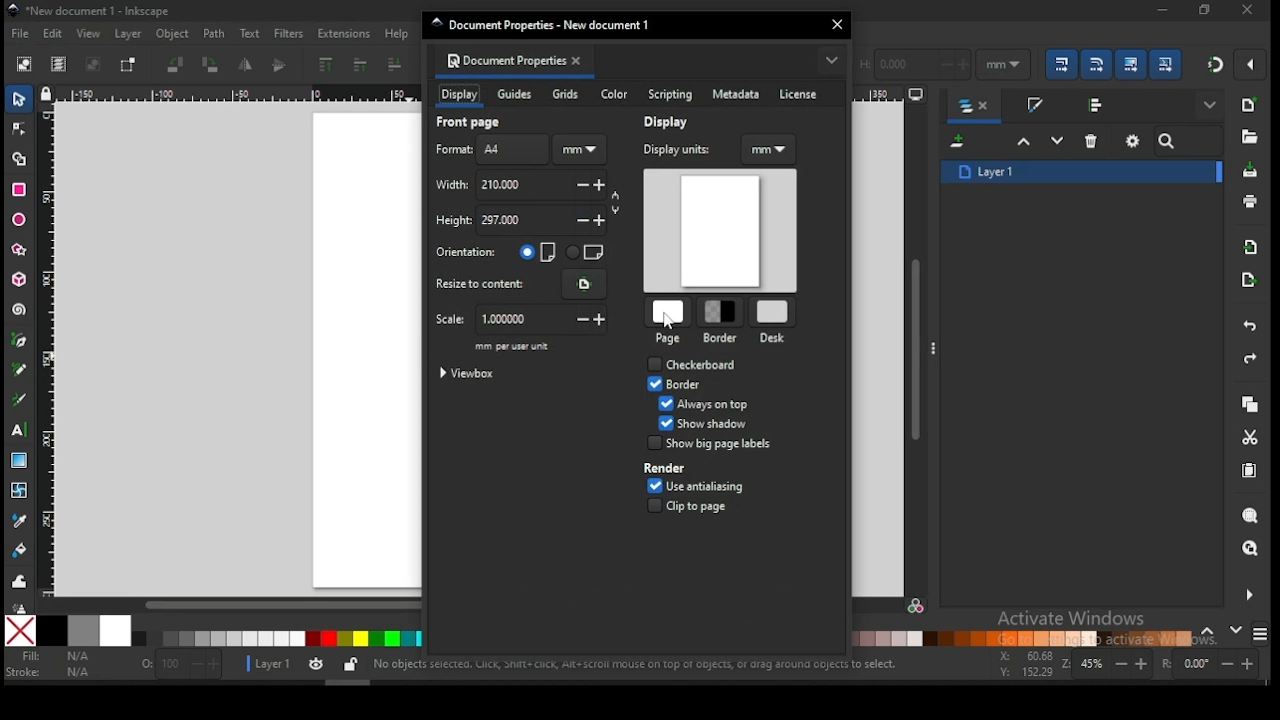  What do you see at coordinates (83, 631) in the screenshot?
I see `50% grey` at bounding box center [83, 631].